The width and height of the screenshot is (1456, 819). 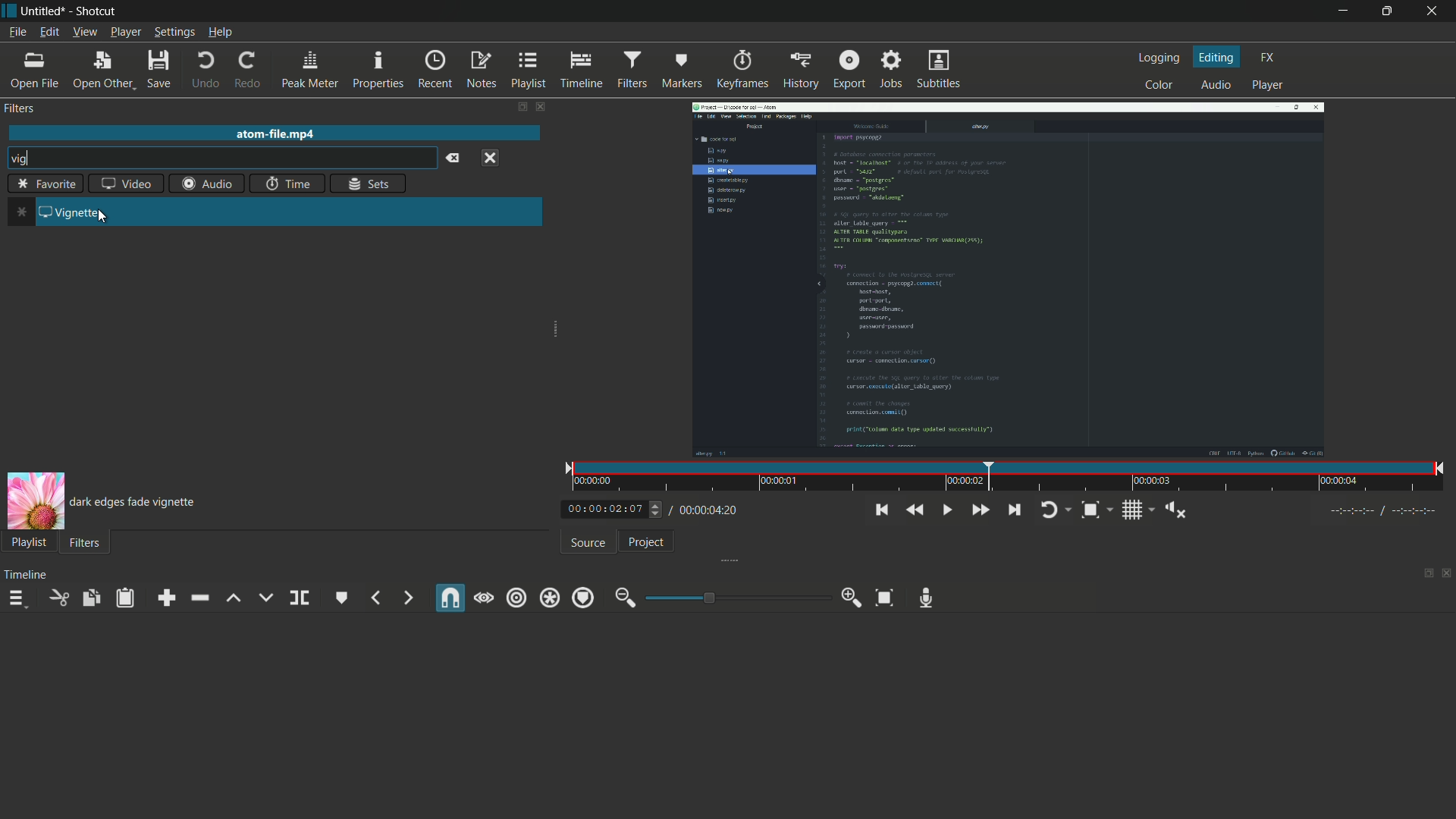 I want to click on ripple markers, so click(x=583, y=598).